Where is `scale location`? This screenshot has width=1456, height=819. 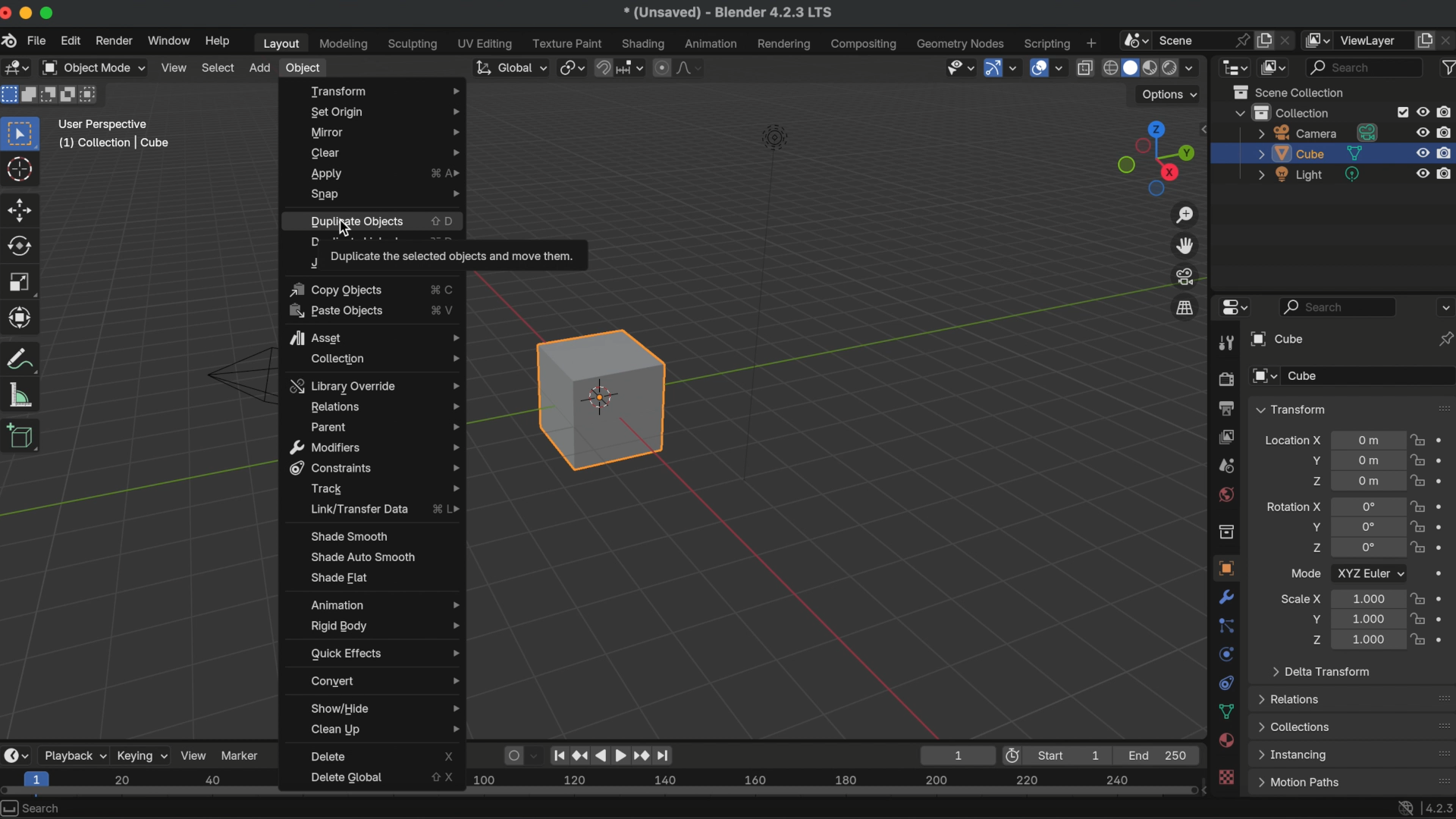 scale location is located at coordinates (1365, 618).